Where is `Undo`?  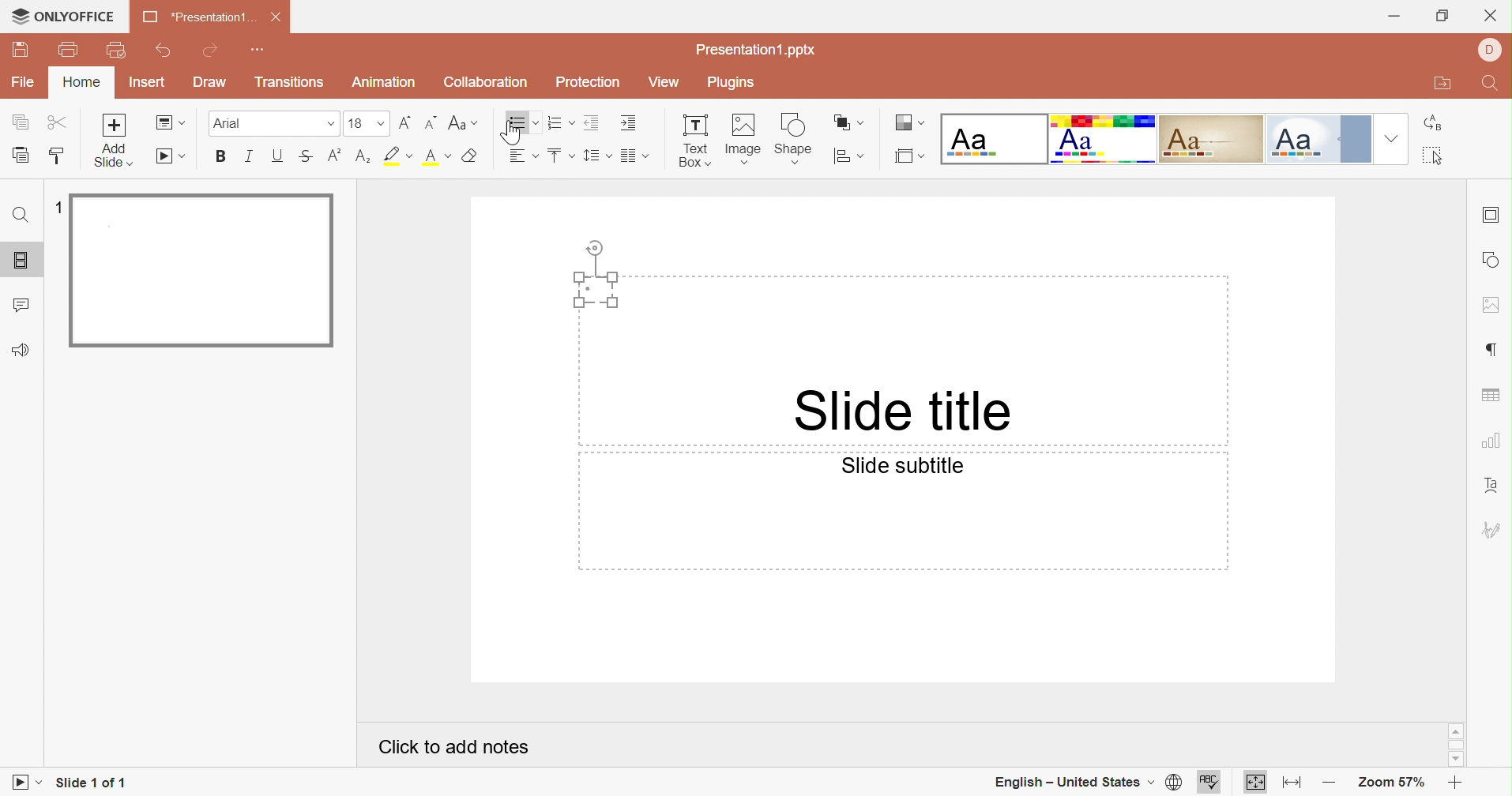 Undo is located at coordinates (164, 52).